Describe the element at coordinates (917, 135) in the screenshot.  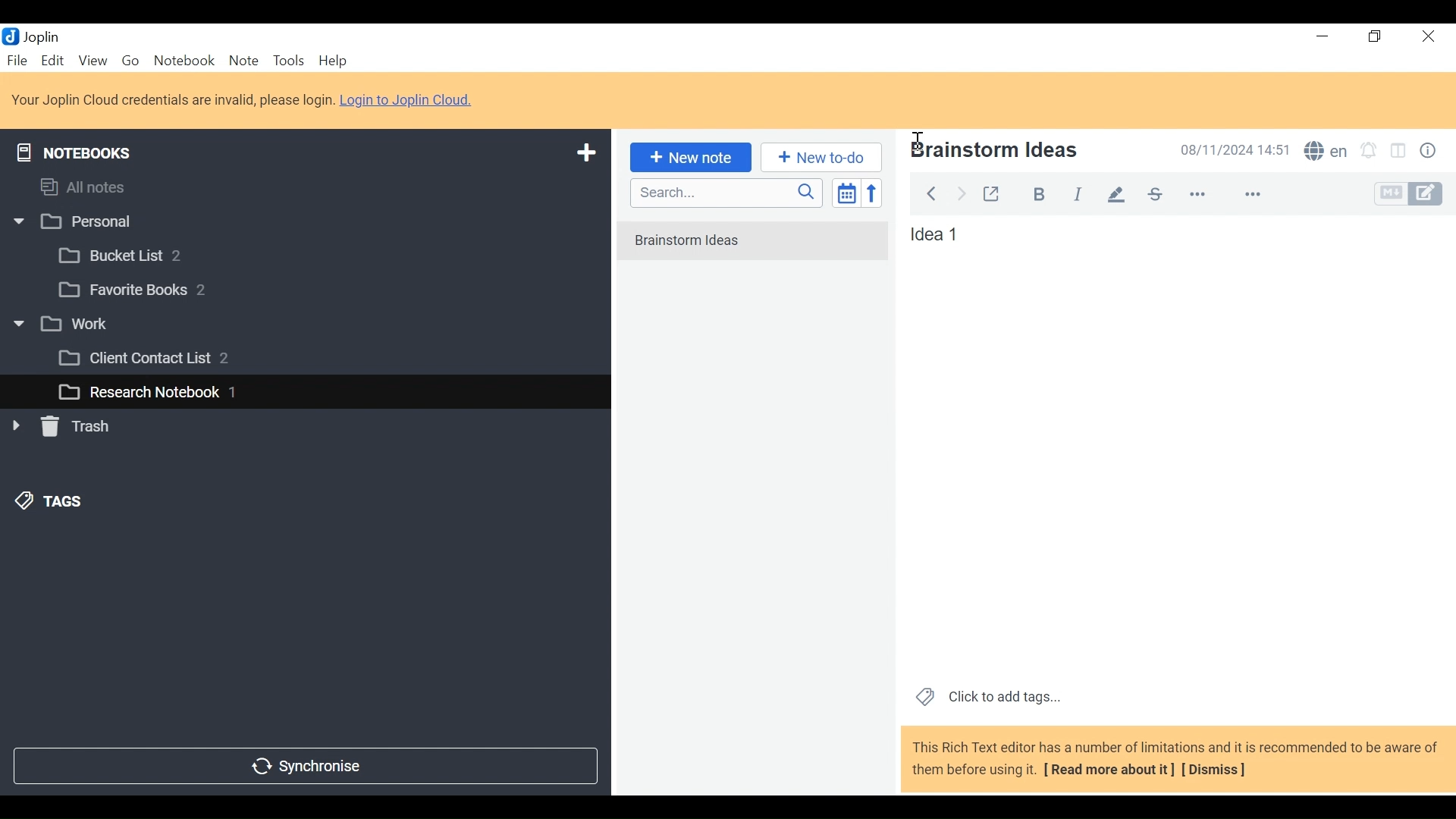
I see `Insertion Cursor` at that location.